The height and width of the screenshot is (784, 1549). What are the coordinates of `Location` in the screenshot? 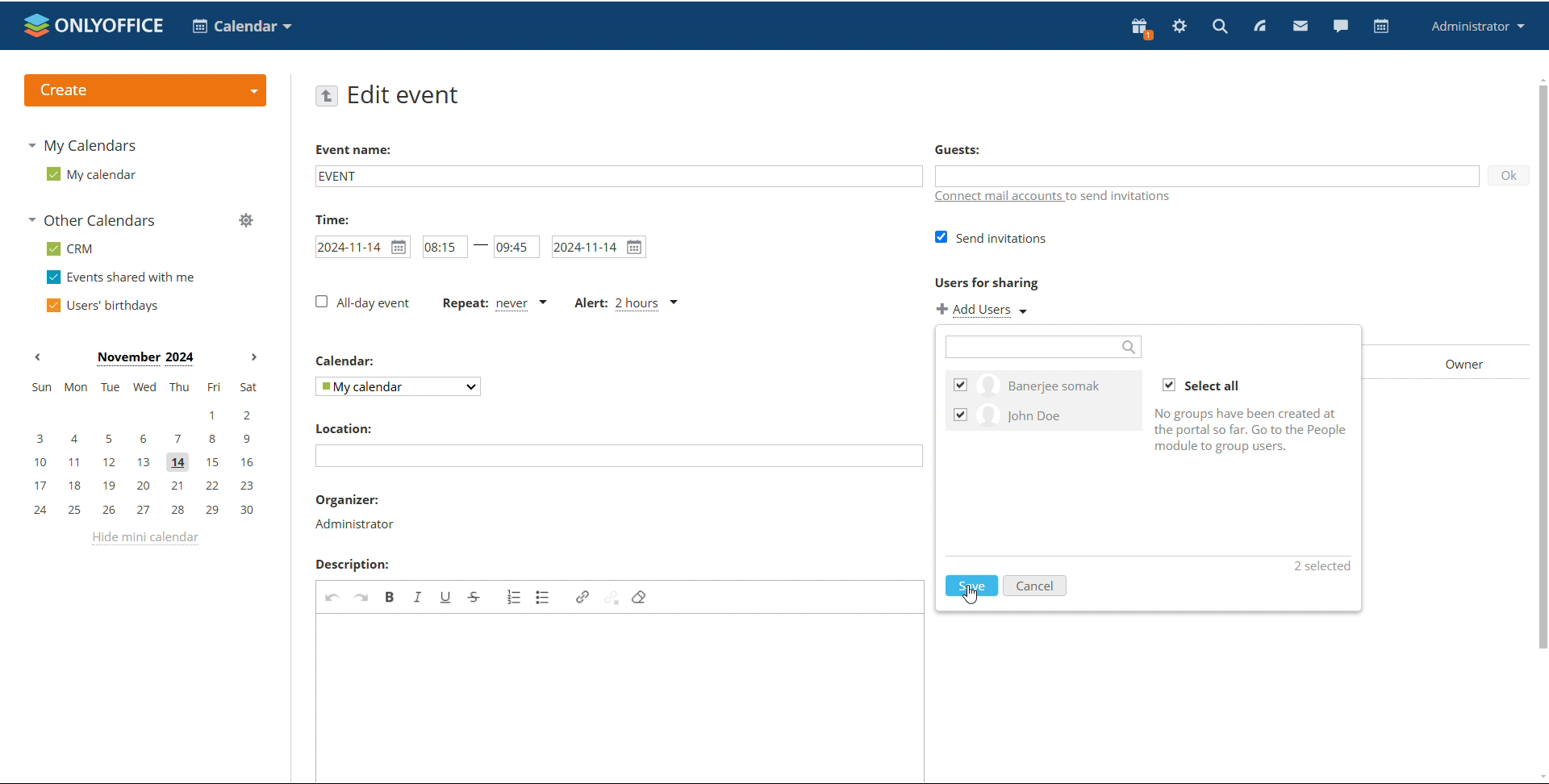 It's located at (348, 427).